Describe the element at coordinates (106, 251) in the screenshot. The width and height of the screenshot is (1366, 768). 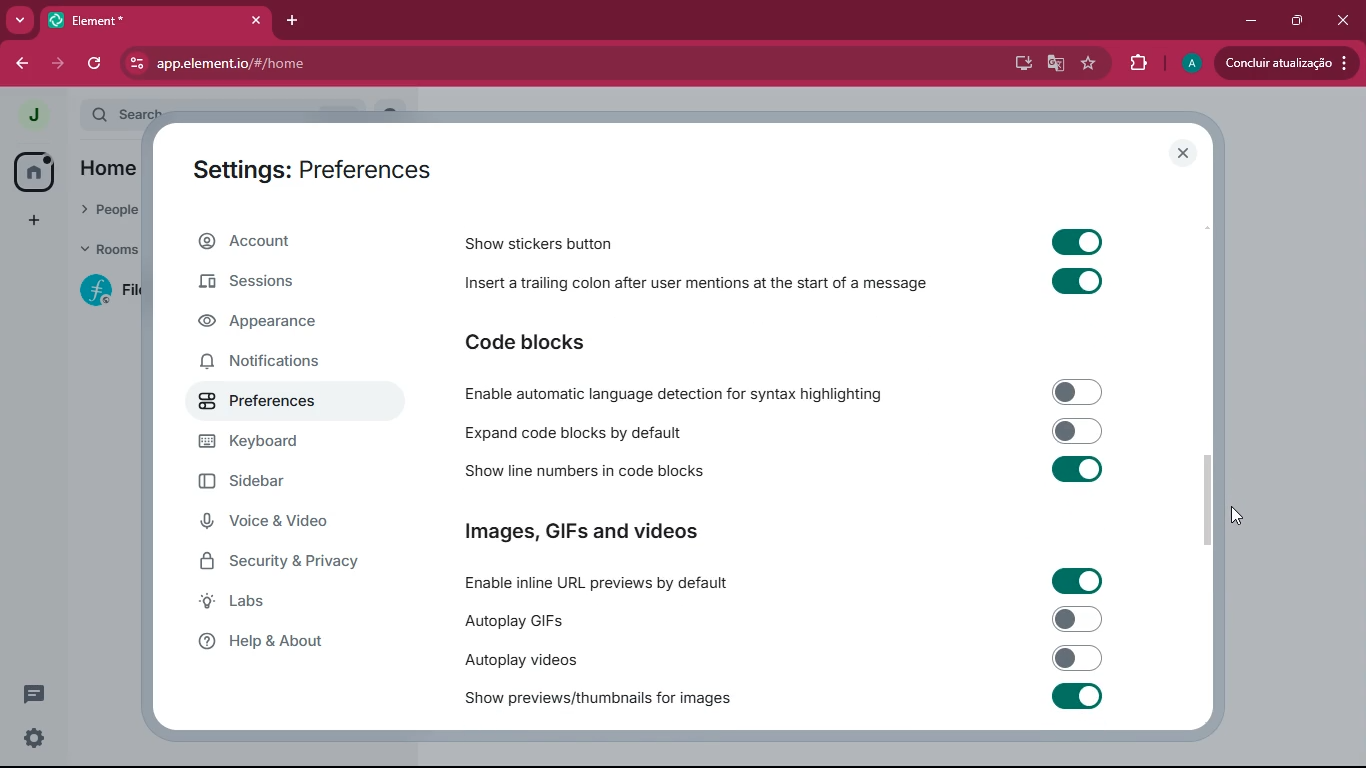
I see `rooms` at that location.